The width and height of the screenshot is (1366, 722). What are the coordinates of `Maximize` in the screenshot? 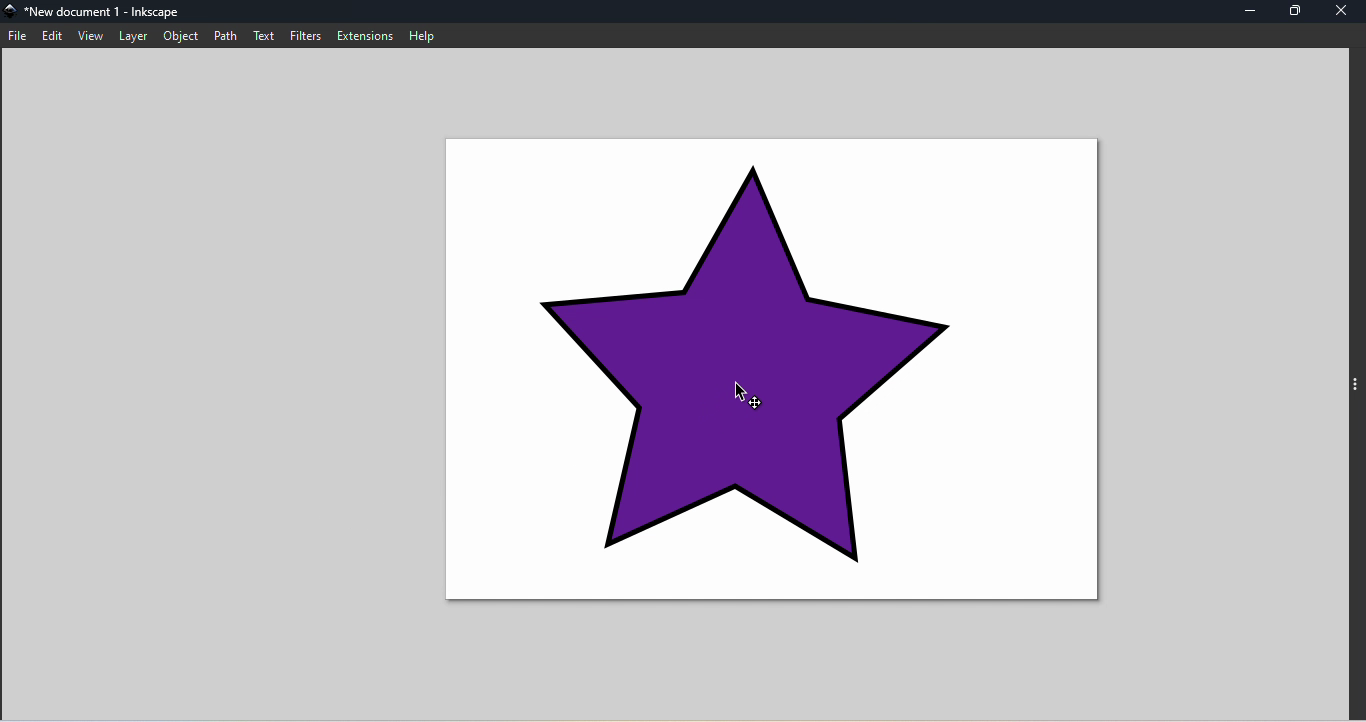 It's located at (1301, 12).